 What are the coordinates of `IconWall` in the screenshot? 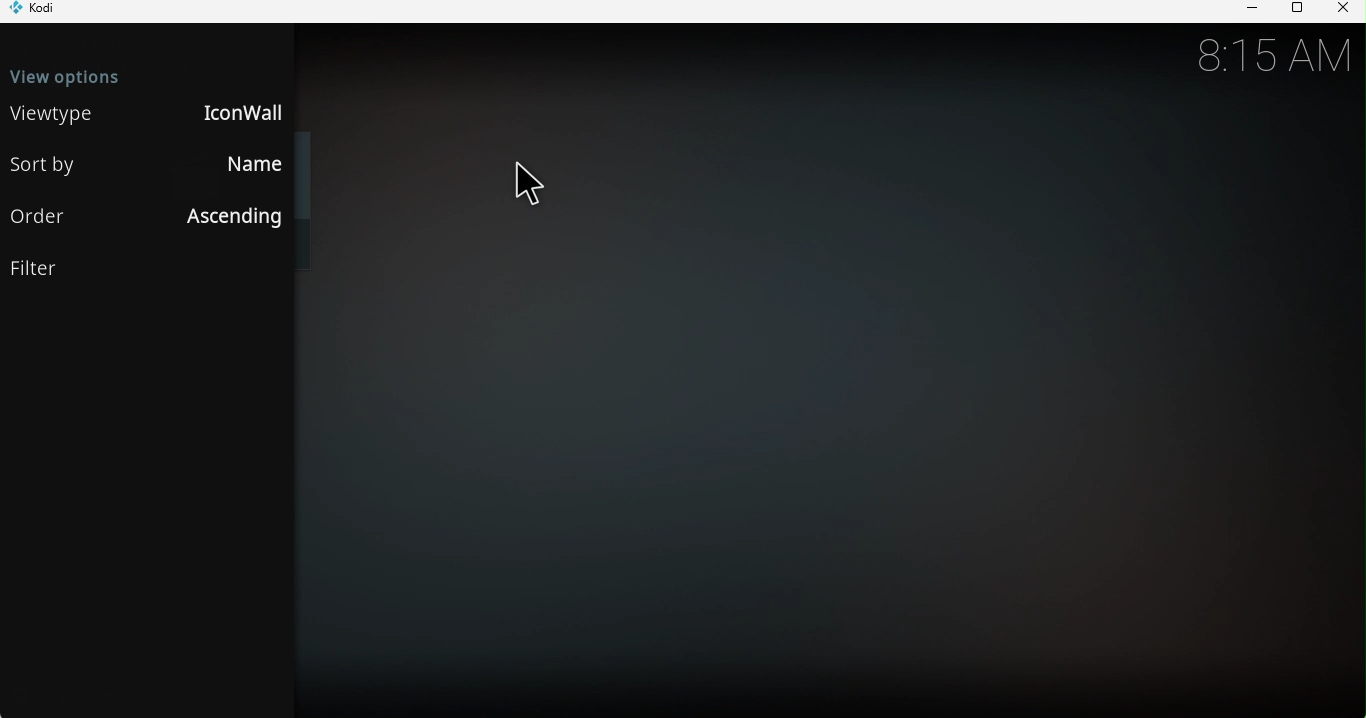 It's located at (234, 113).